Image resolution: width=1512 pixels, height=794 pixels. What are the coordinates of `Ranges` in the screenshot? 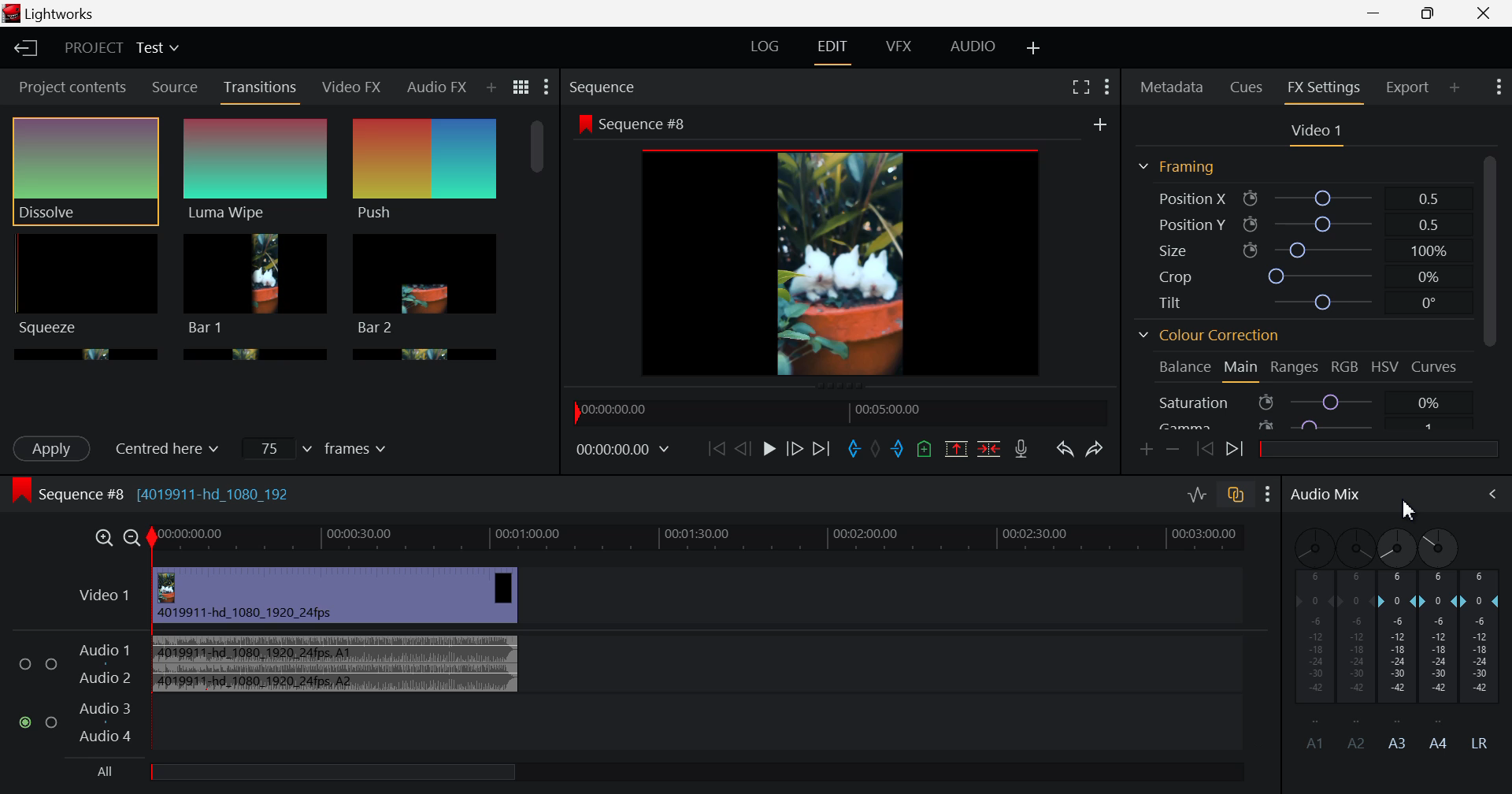 It's located at (1295, 368).